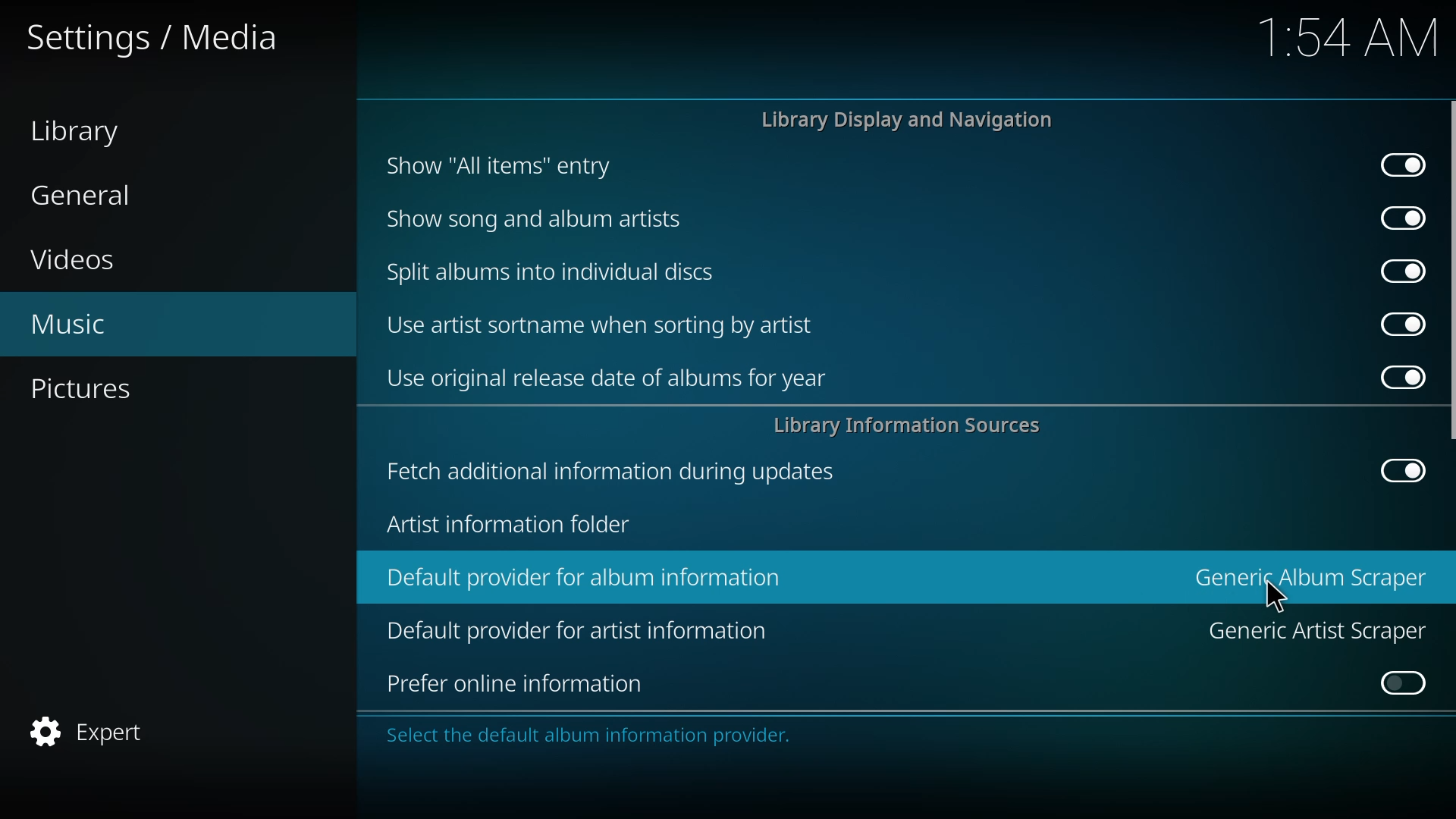 The width and height of the screenshot is (1456, 819). What do you see at coordinates (1398, 270) in the screenshot?
I see `enabled` at bounding box center [1398, 270].